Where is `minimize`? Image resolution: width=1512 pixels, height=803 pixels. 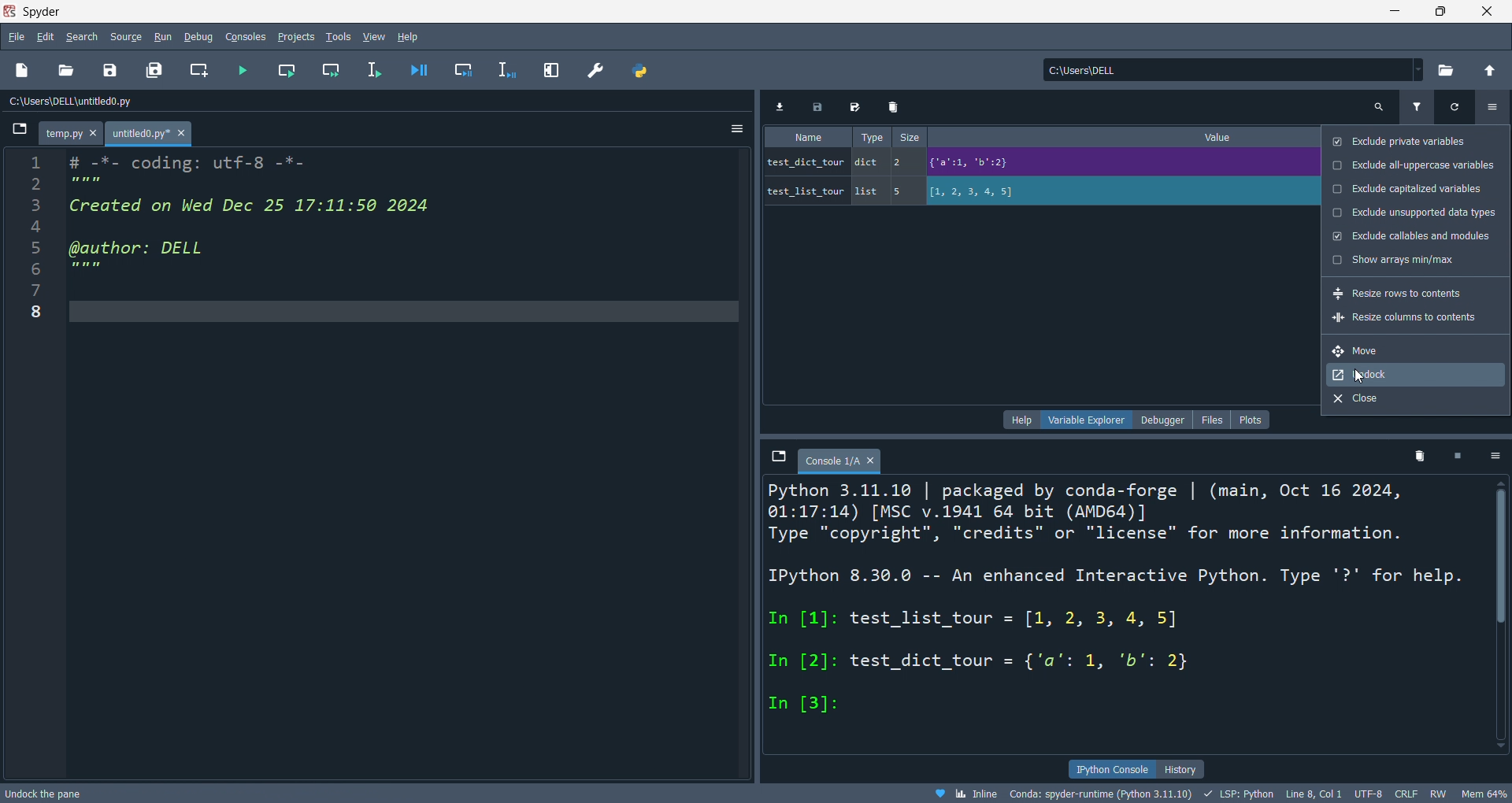 minimize is located at coordinates (1391, 12).